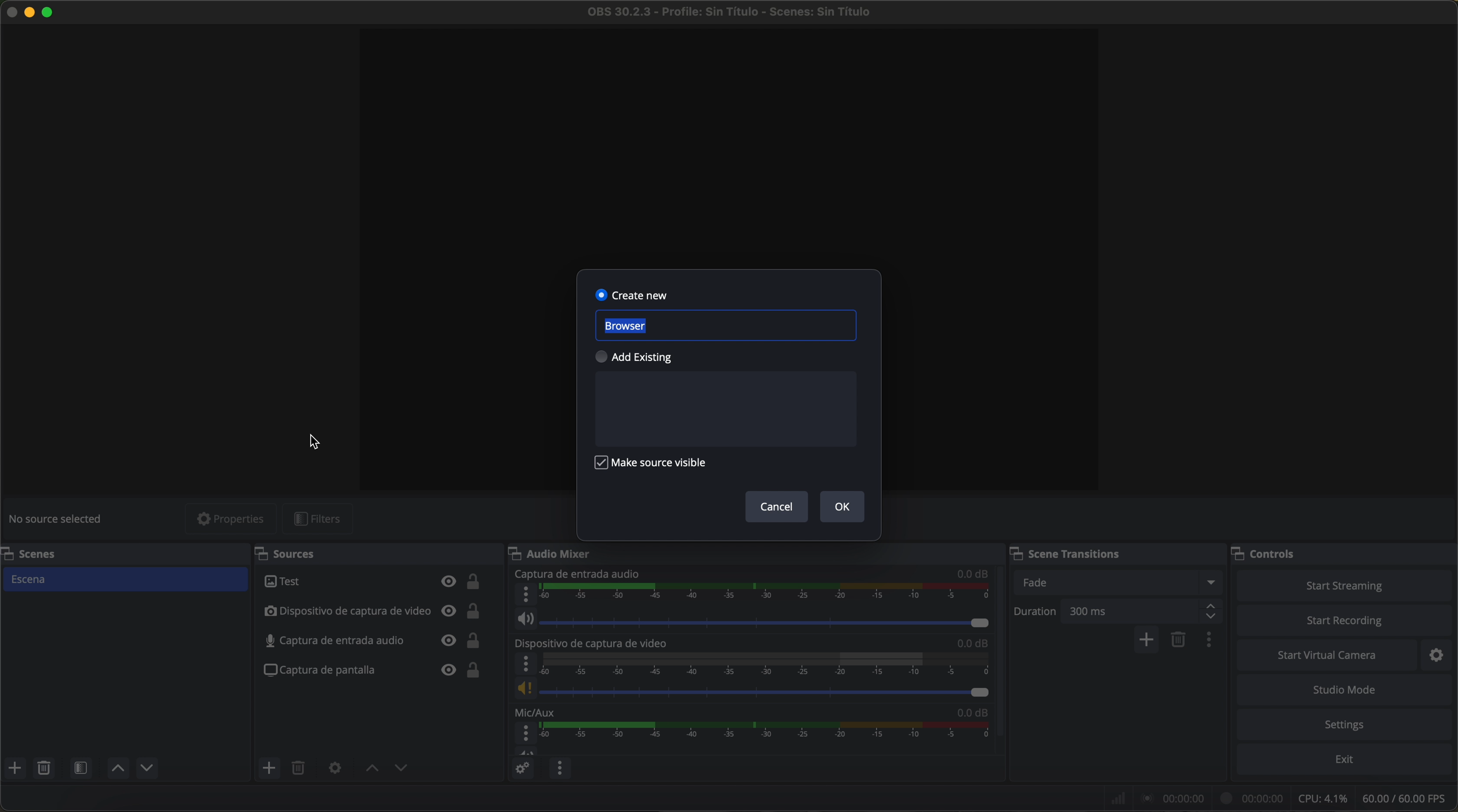 The height and width of the screenshot is (812, 1458). What do you see at coordinates (335, 769) in the screenshot?
I see `open source properties` at bounding box center [335, 769].